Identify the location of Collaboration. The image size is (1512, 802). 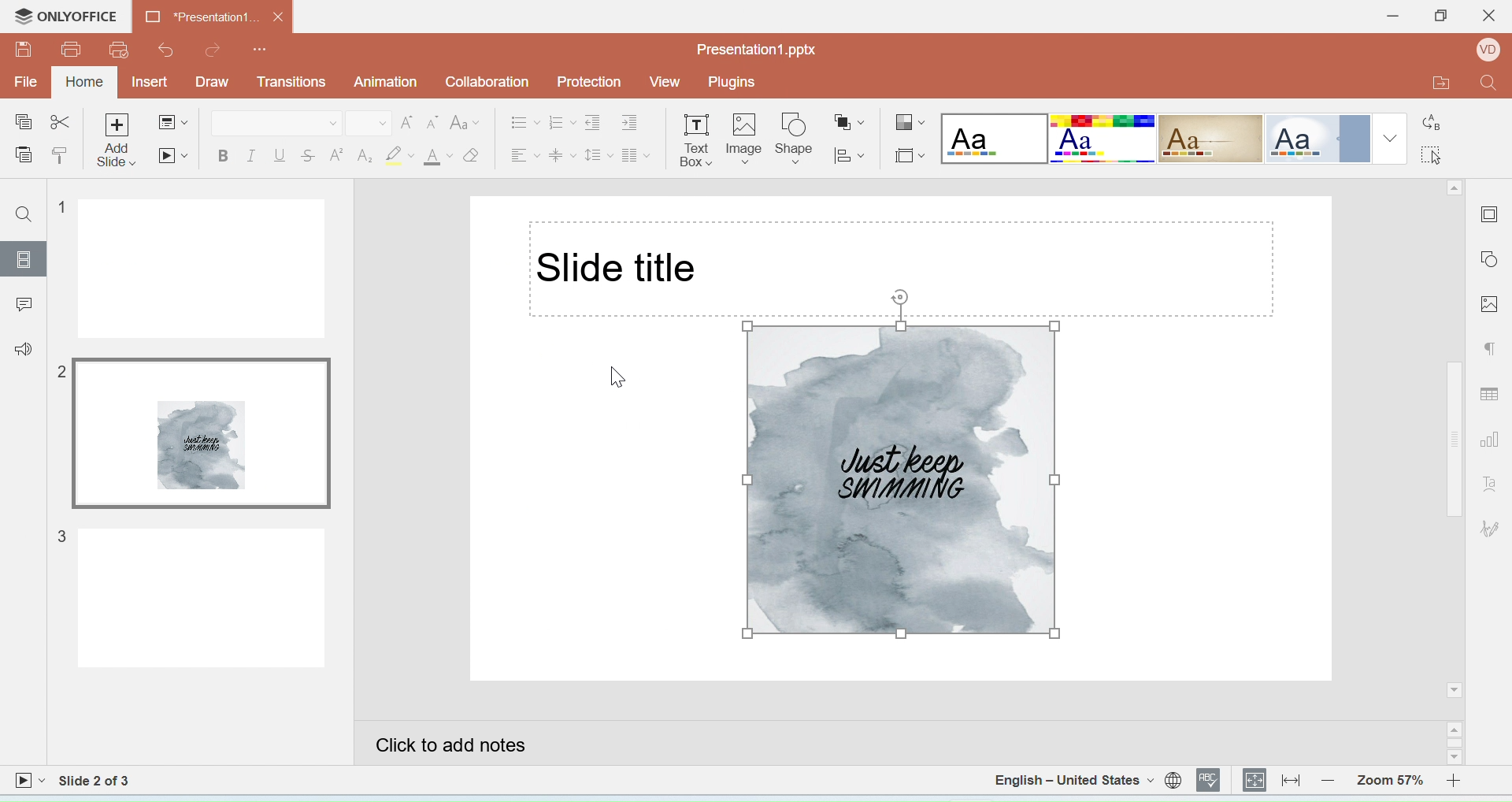
(493, 84).